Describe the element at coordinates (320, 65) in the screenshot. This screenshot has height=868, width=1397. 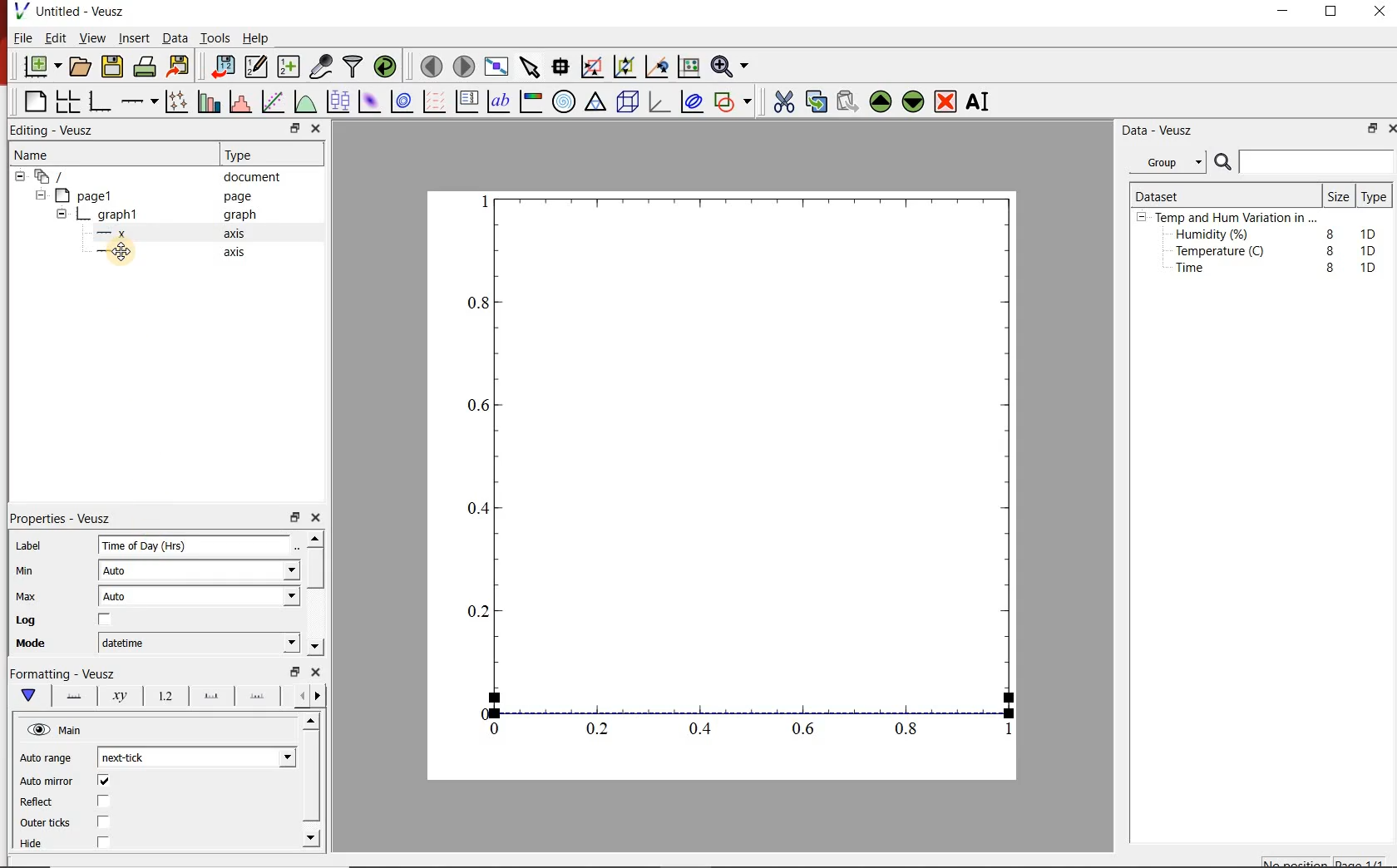
I see `capture remote data` at that location.